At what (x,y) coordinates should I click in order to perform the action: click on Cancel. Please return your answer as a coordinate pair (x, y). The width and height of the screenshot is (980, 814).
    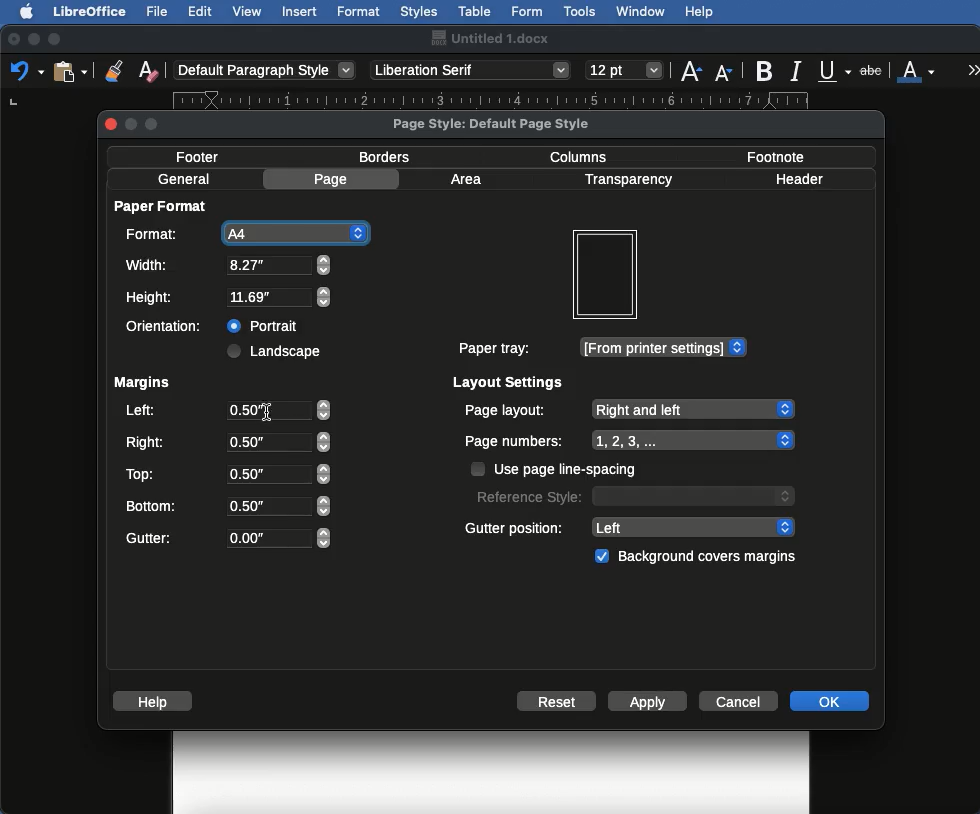
    Looking at the image, I should click on (741, 700).